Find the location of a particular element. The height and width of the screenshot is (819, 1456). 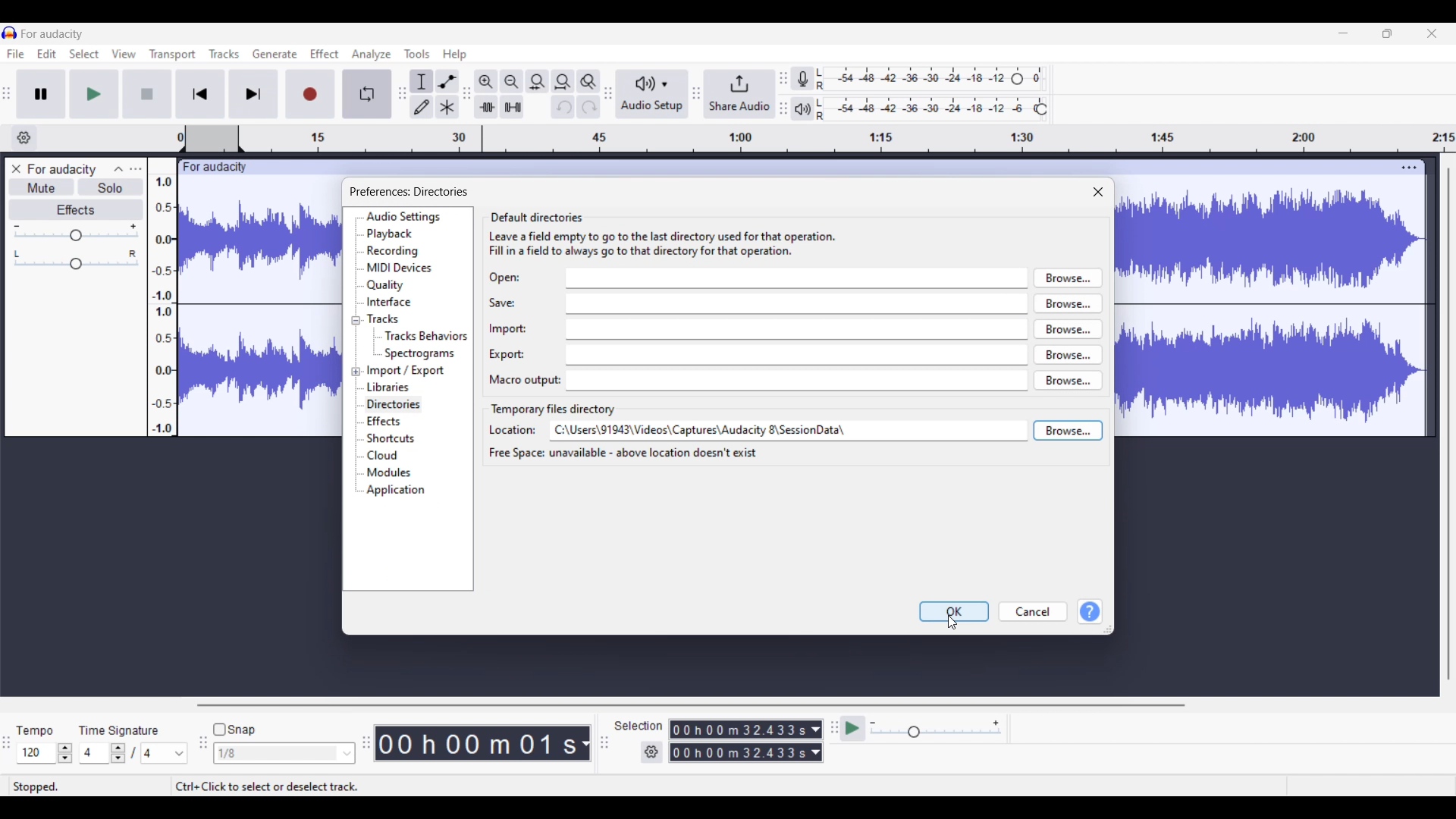

Minimize is located at coordinates (1344, 33).